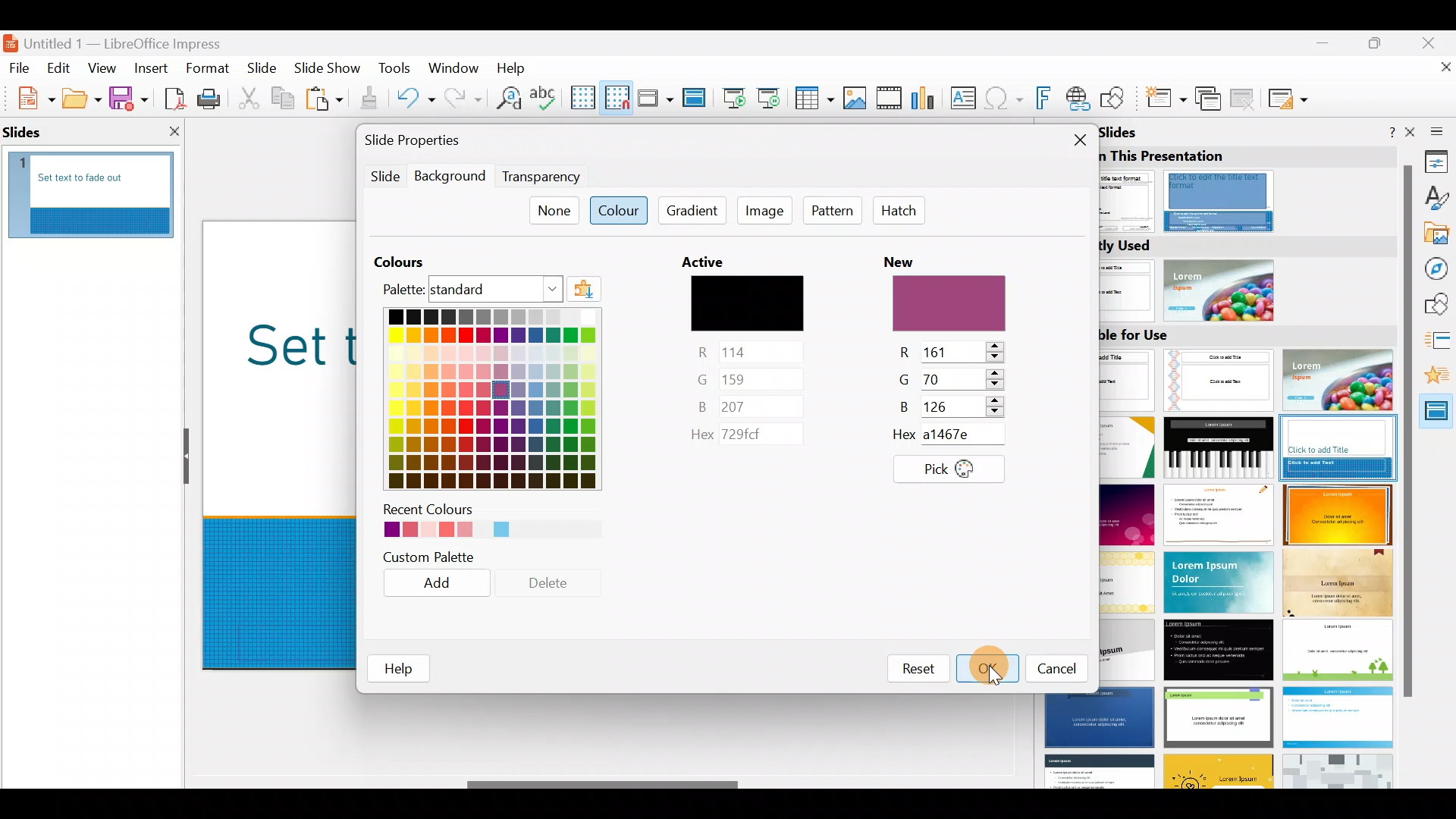 This screenshot has height=819, width=1456. Describe the element at coordinates (1438, 306) in the screenshot. I see `Shapes` at that location.